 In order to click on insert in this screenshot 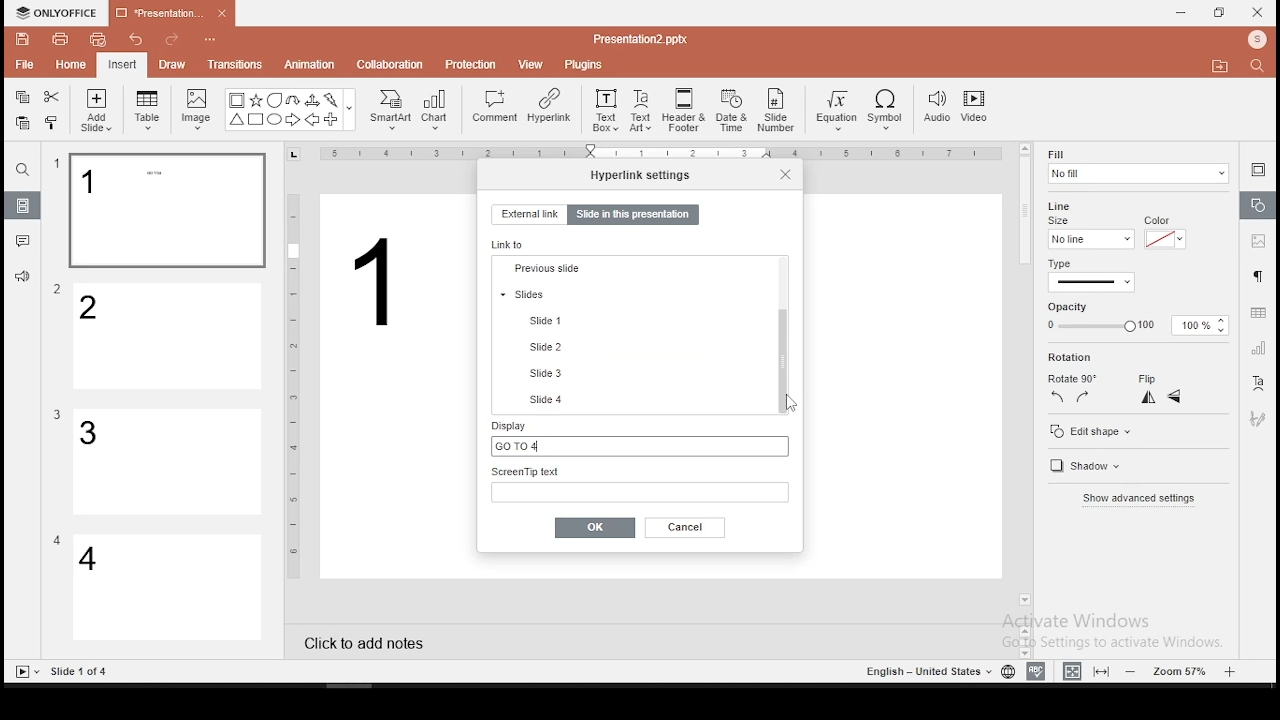, I will do `click(121, 64)`.